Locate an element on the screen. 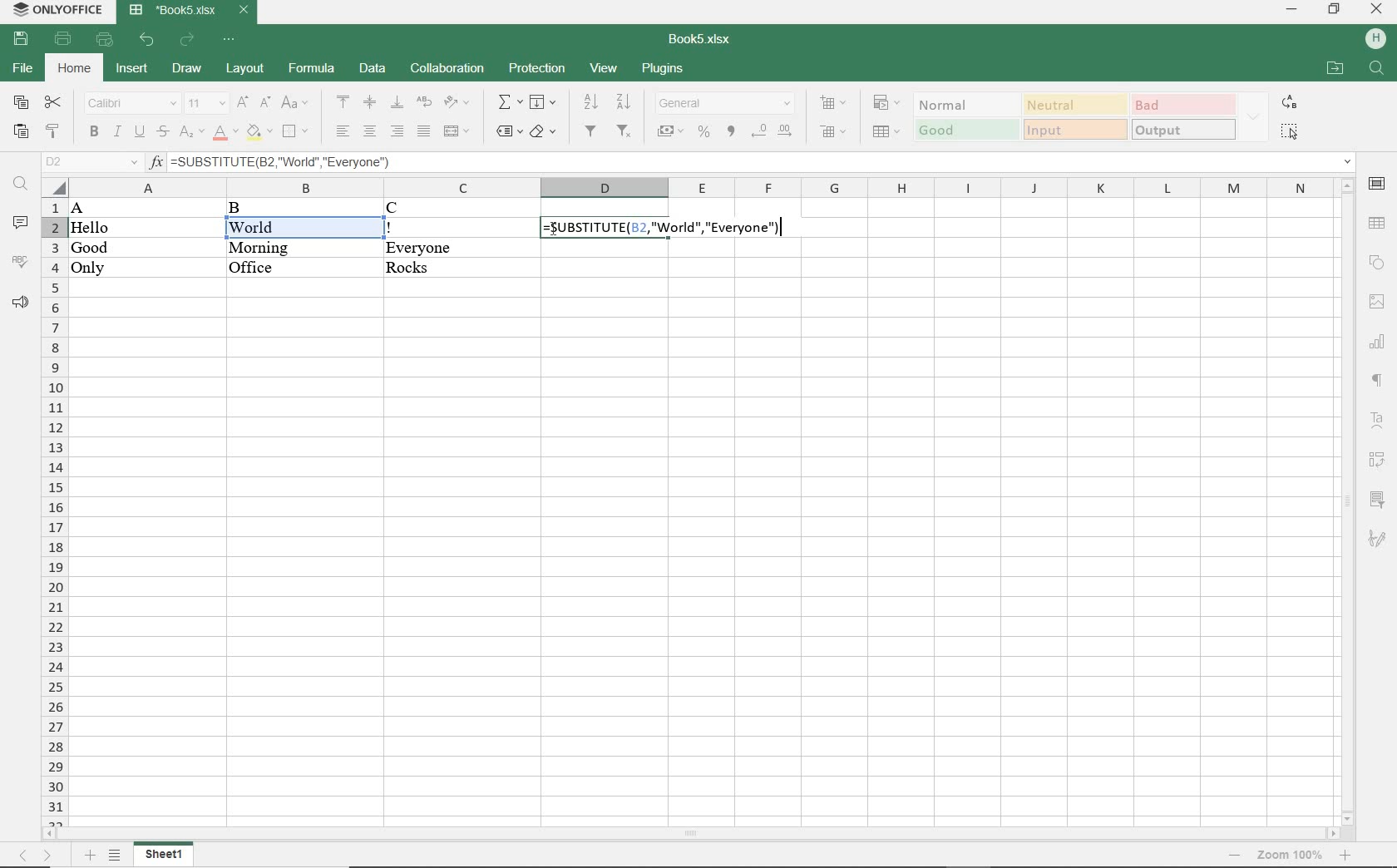  protection is located at coordinates (539, 70).